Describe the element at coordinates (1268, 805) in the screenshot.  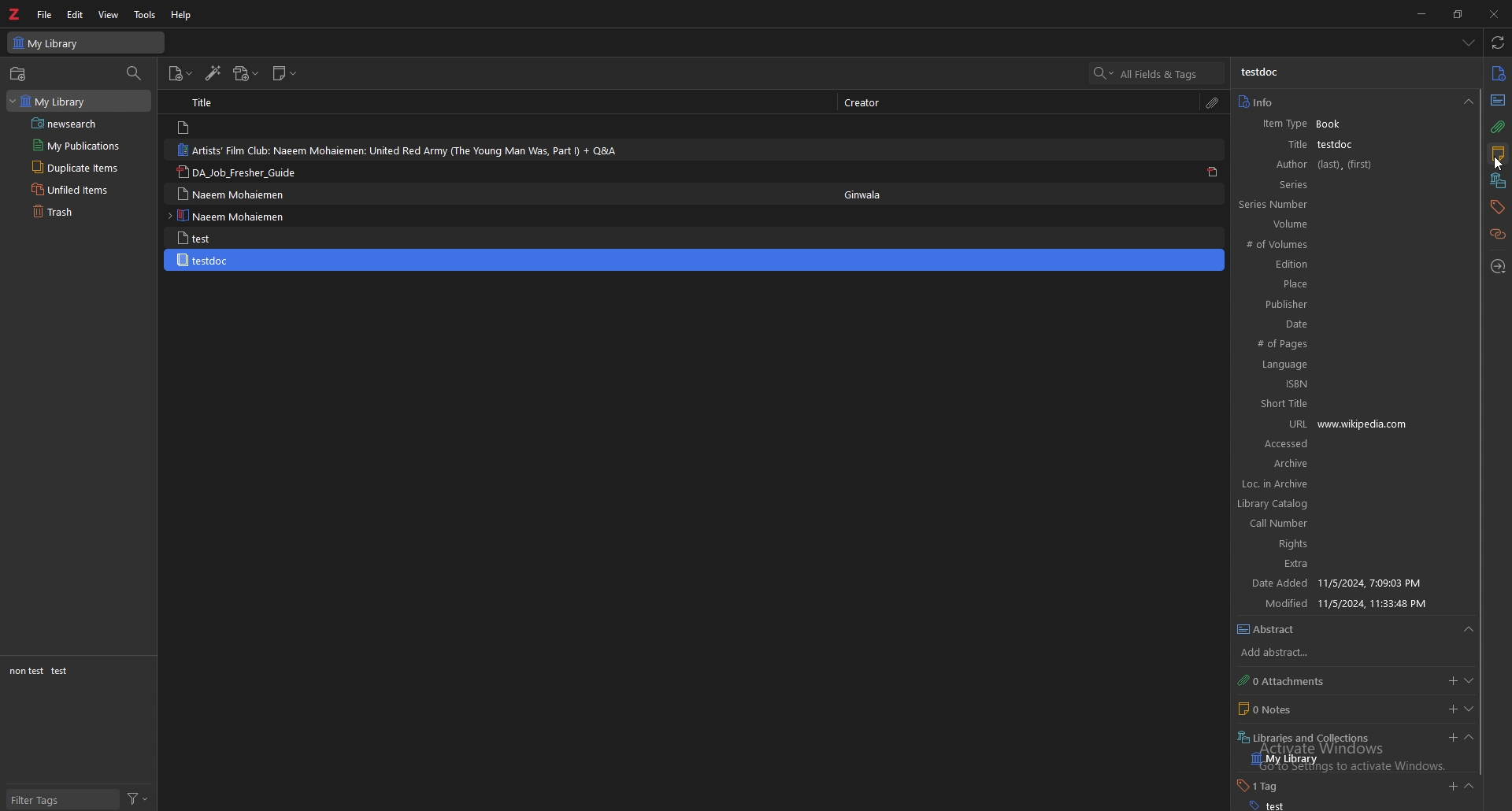
I see `test` at that location.